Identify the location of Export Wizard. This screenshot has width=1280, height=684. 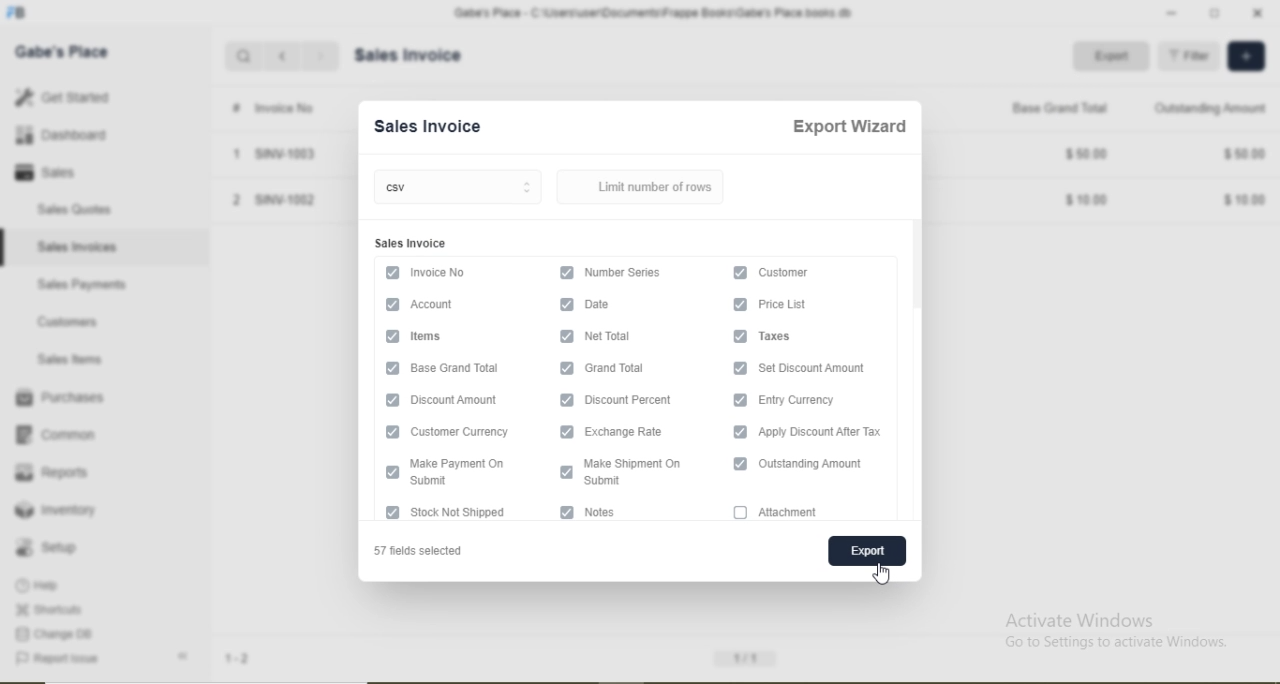
(849, 127).